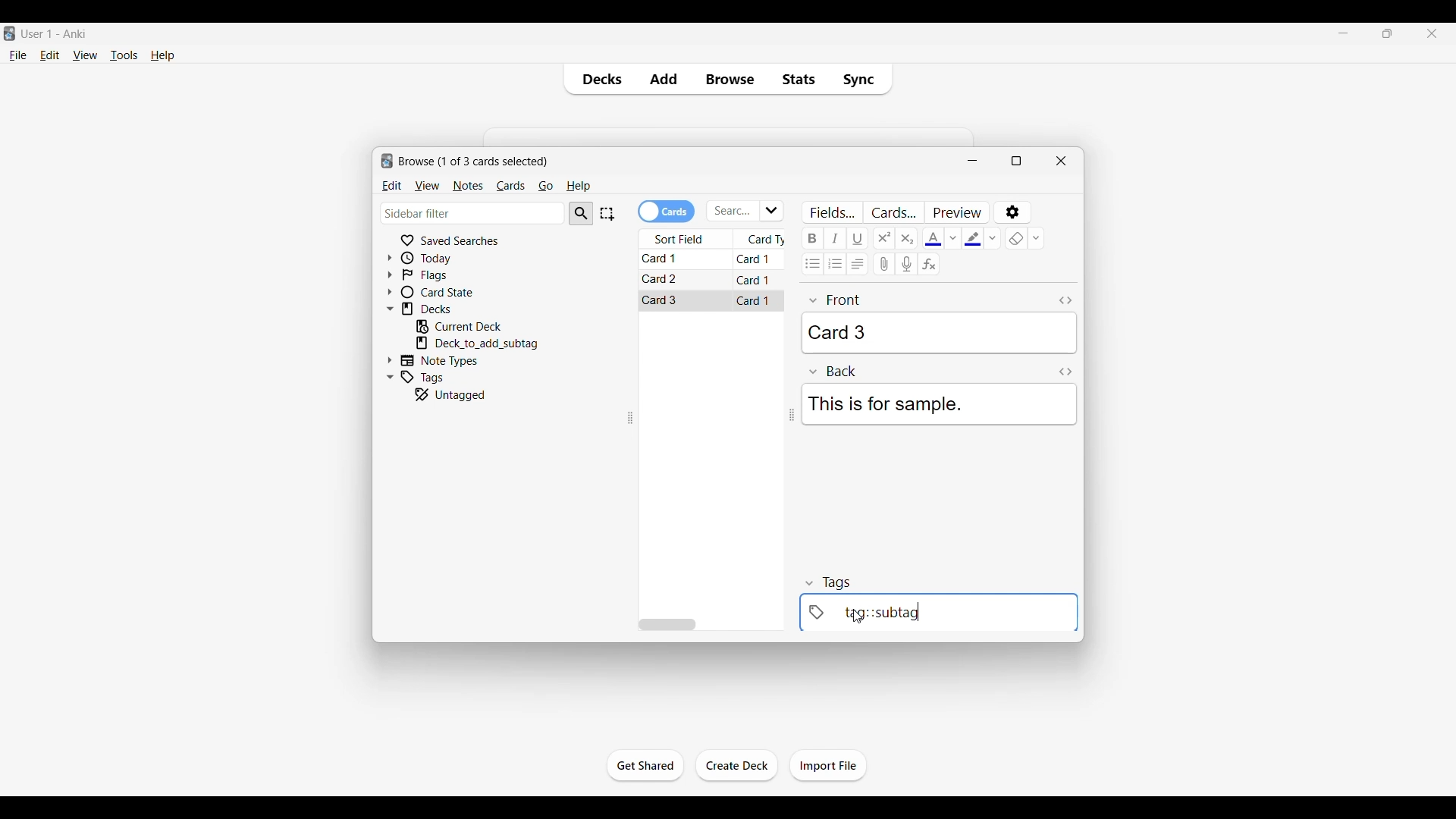 The image size is (1456, 819). What do you see at coordinates (929, 263) in the screenshot?
I see `Equations` at bounding box center [929, 263].